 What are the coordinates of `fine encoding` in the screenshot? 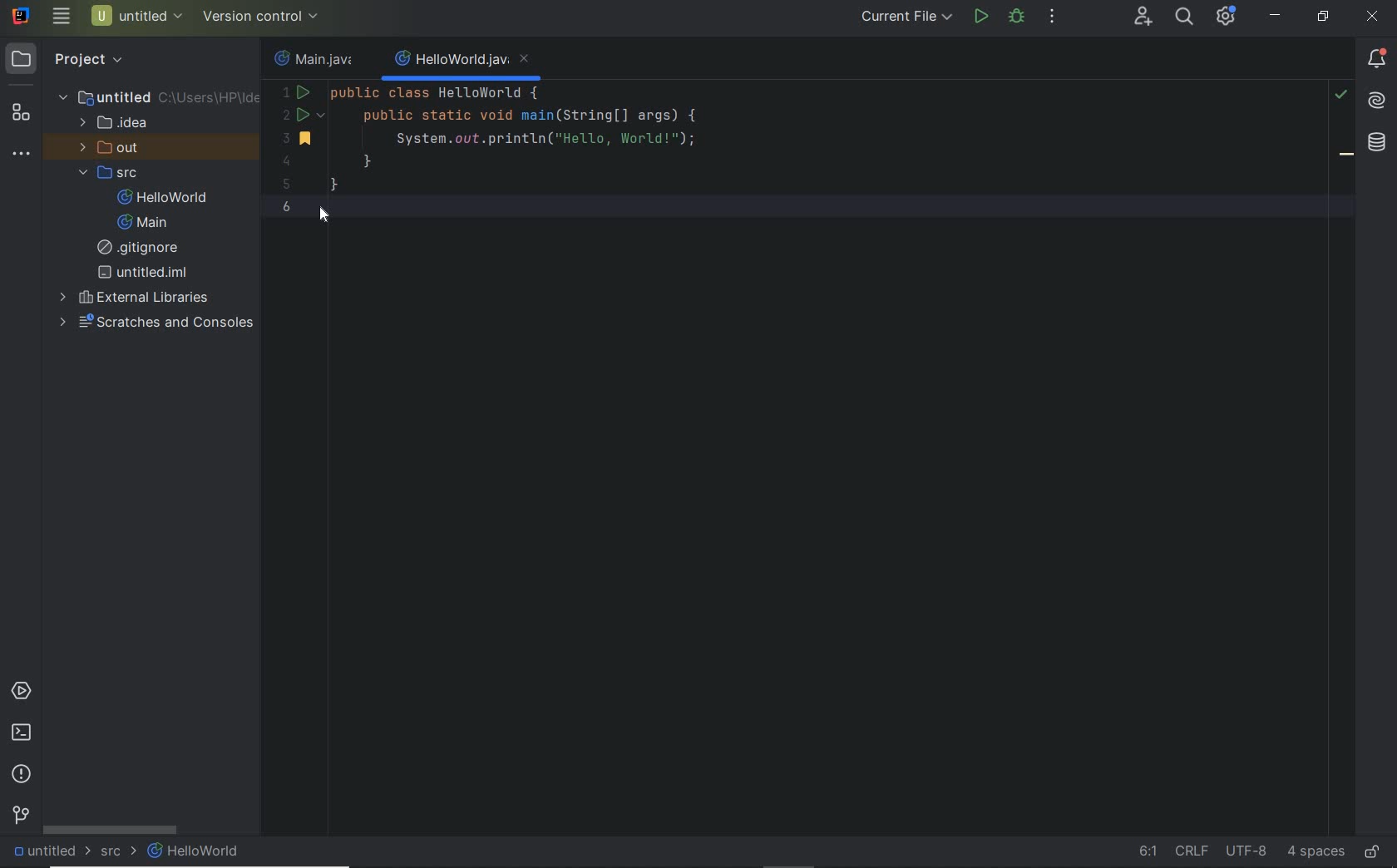 It's located at (1246, 853).